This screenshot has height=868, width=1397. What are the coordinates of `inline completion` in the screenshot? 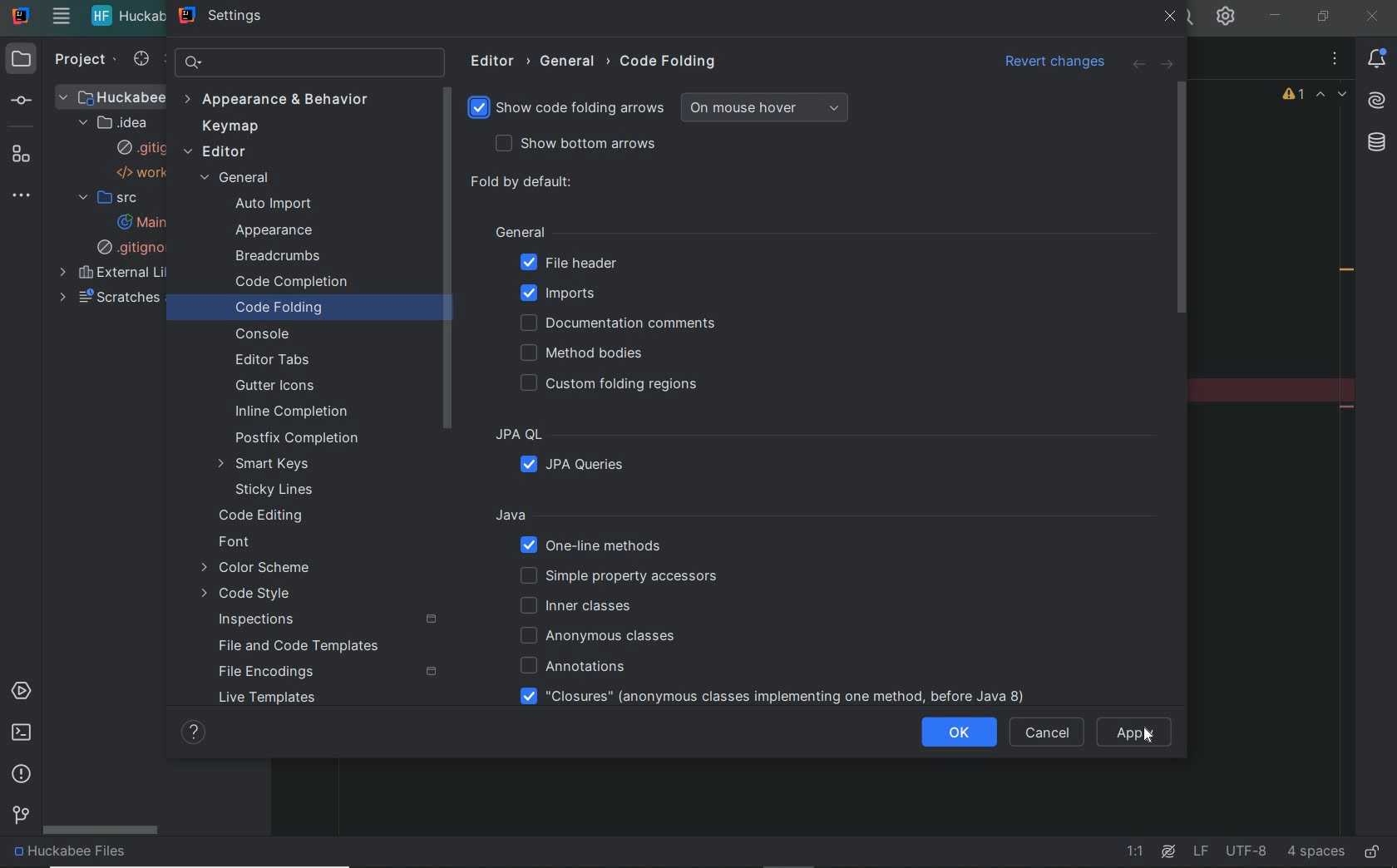 It's located at (295, 411).